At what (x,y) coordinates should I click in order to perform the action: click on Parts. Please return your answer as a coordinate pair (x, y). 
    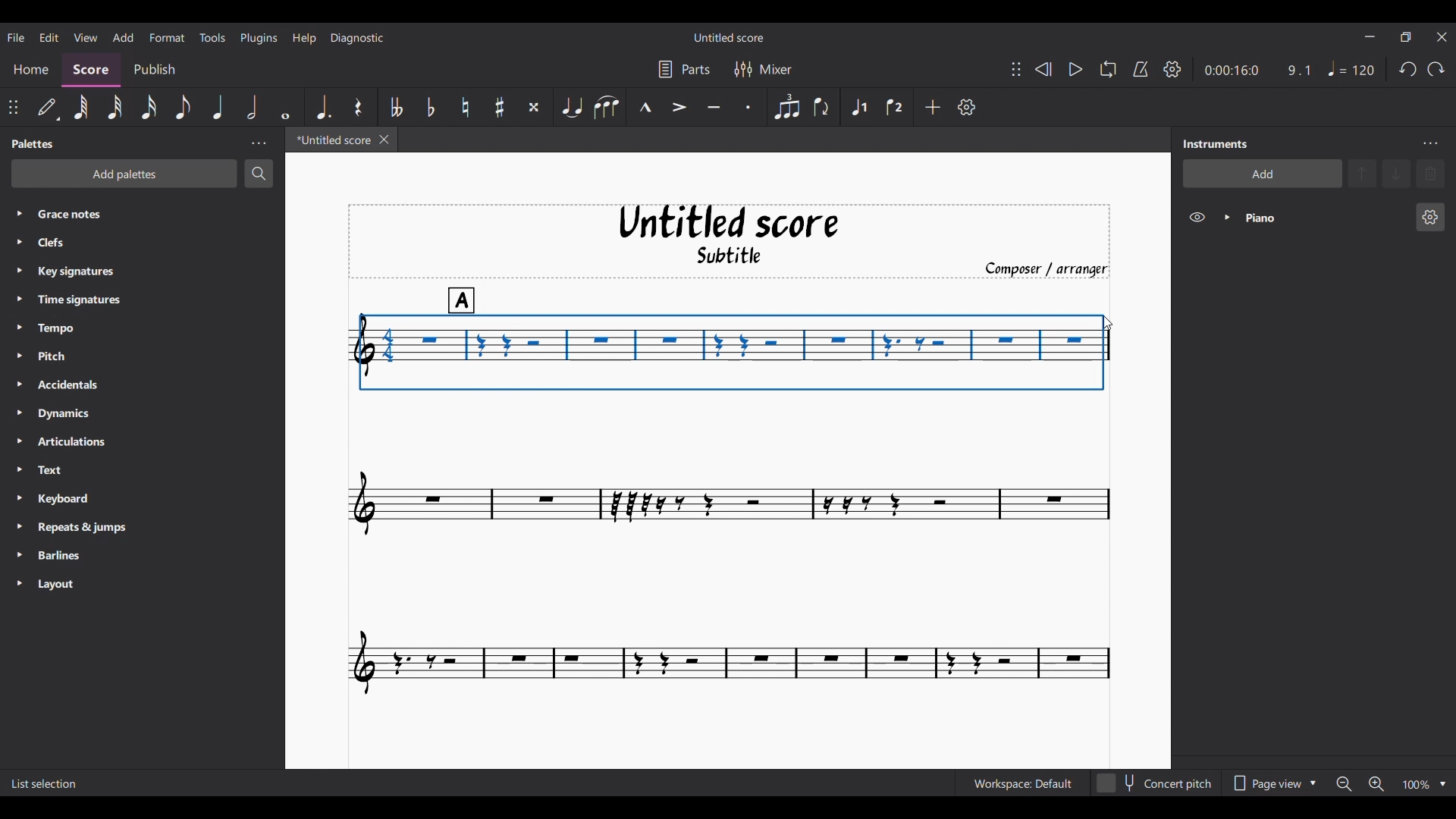
    Looking at the image, I should click on (684, 69).